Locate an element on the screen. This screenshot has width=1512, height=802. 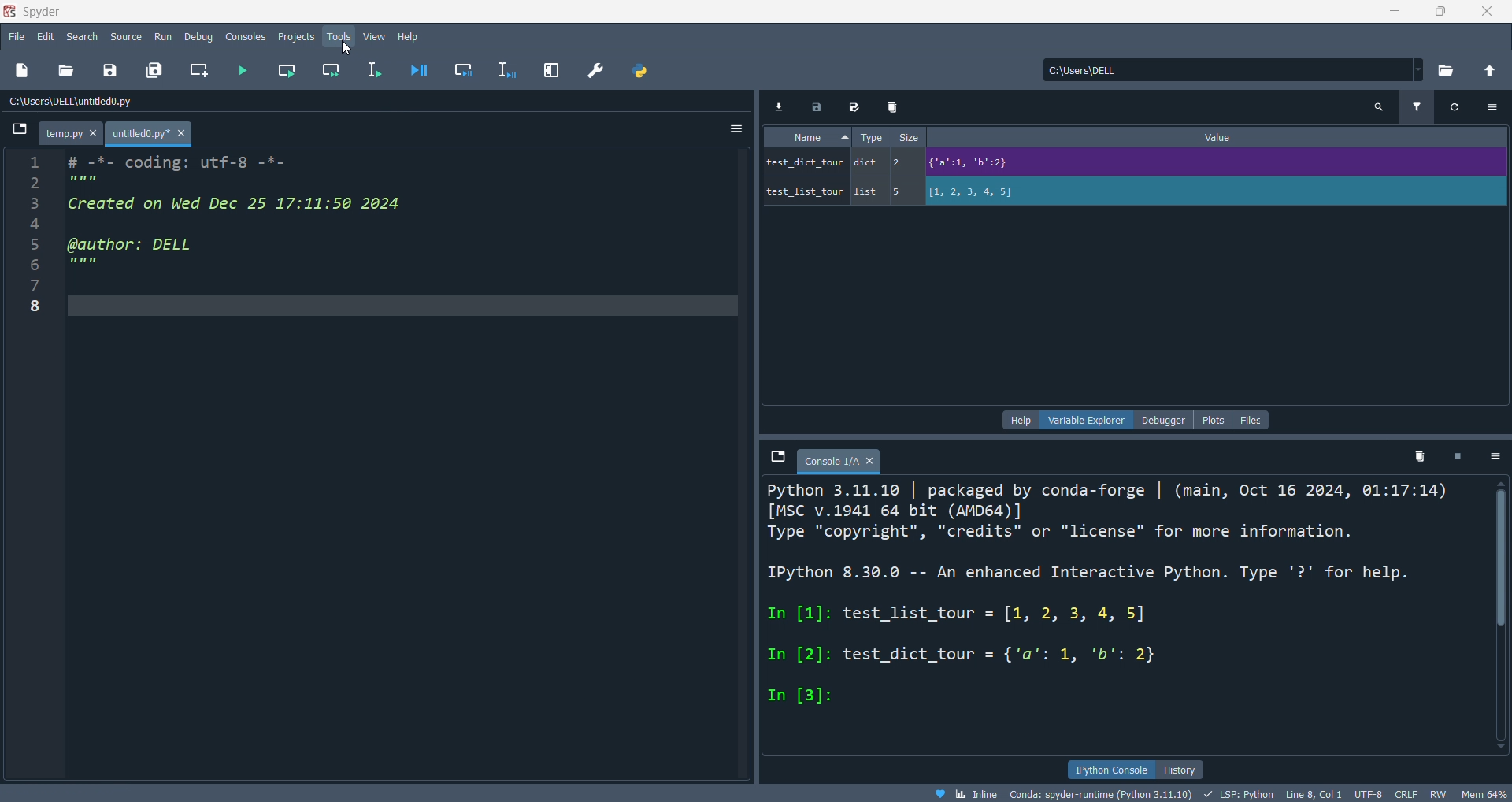
RW is located at coordinates (1442, 793).